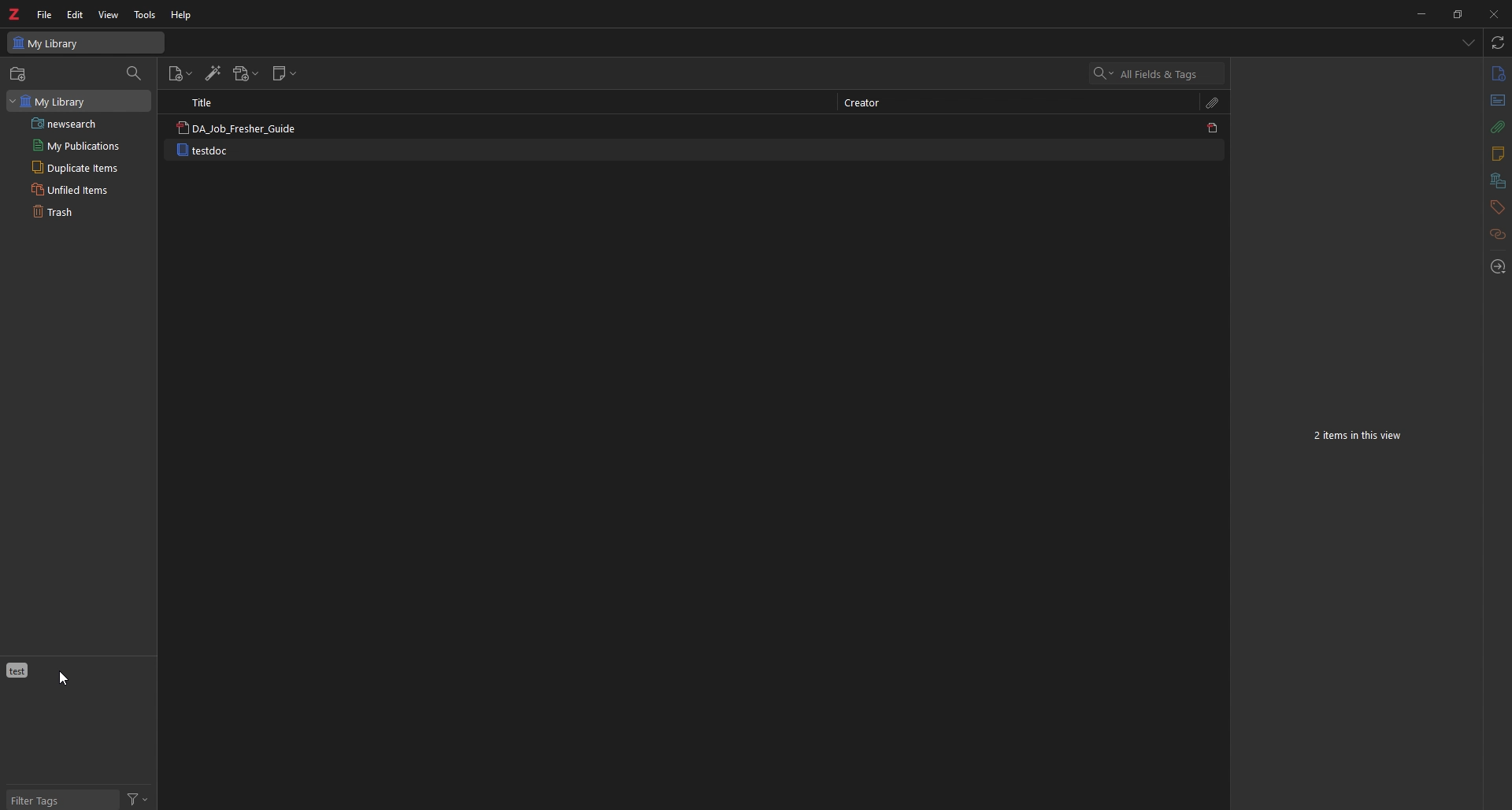  Describe the element at coordinates (1497, 128) in the screenshot. I see `attachment` at that location.